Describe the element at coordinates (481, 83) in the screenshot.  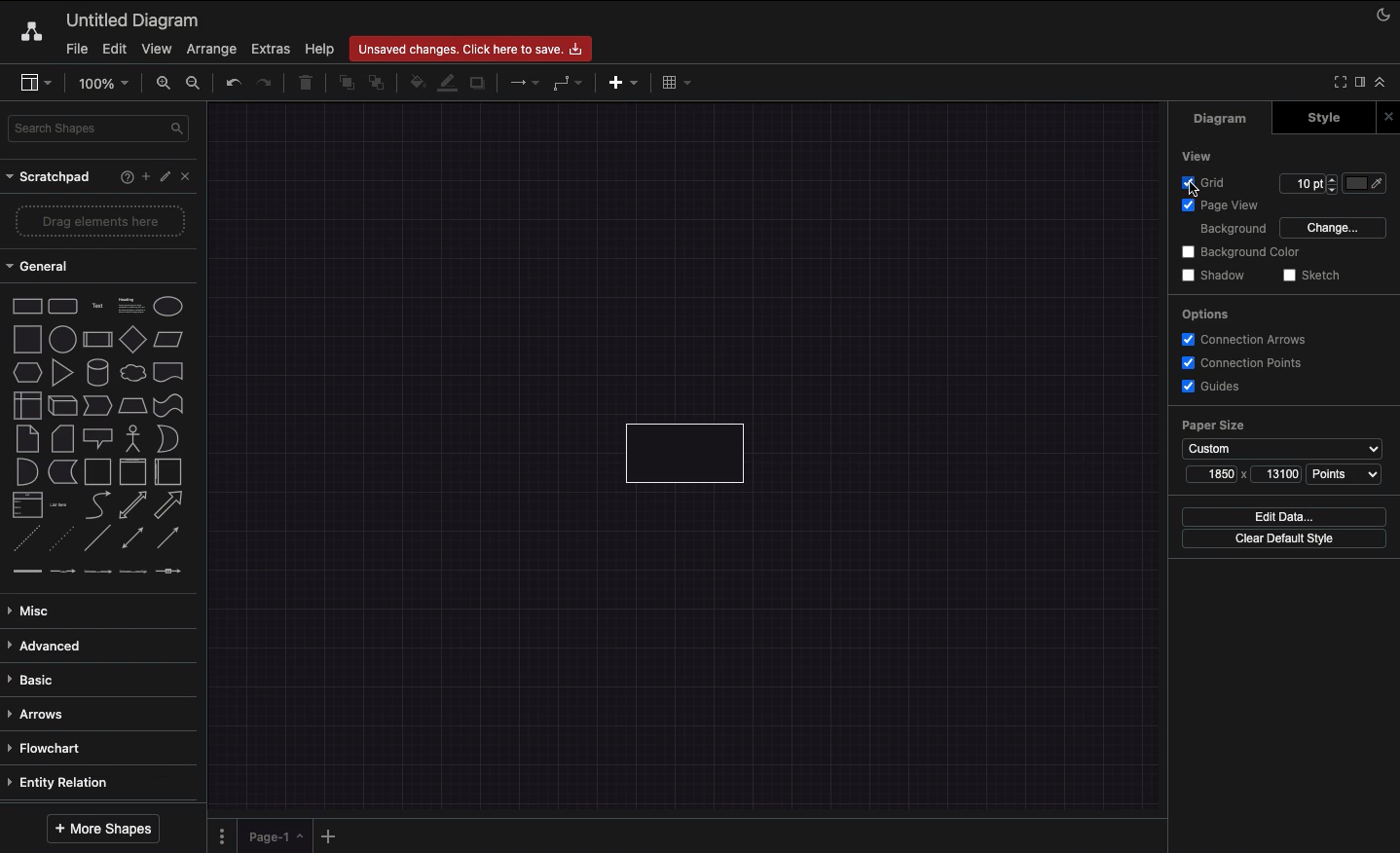
I see `Shadow` at that location.